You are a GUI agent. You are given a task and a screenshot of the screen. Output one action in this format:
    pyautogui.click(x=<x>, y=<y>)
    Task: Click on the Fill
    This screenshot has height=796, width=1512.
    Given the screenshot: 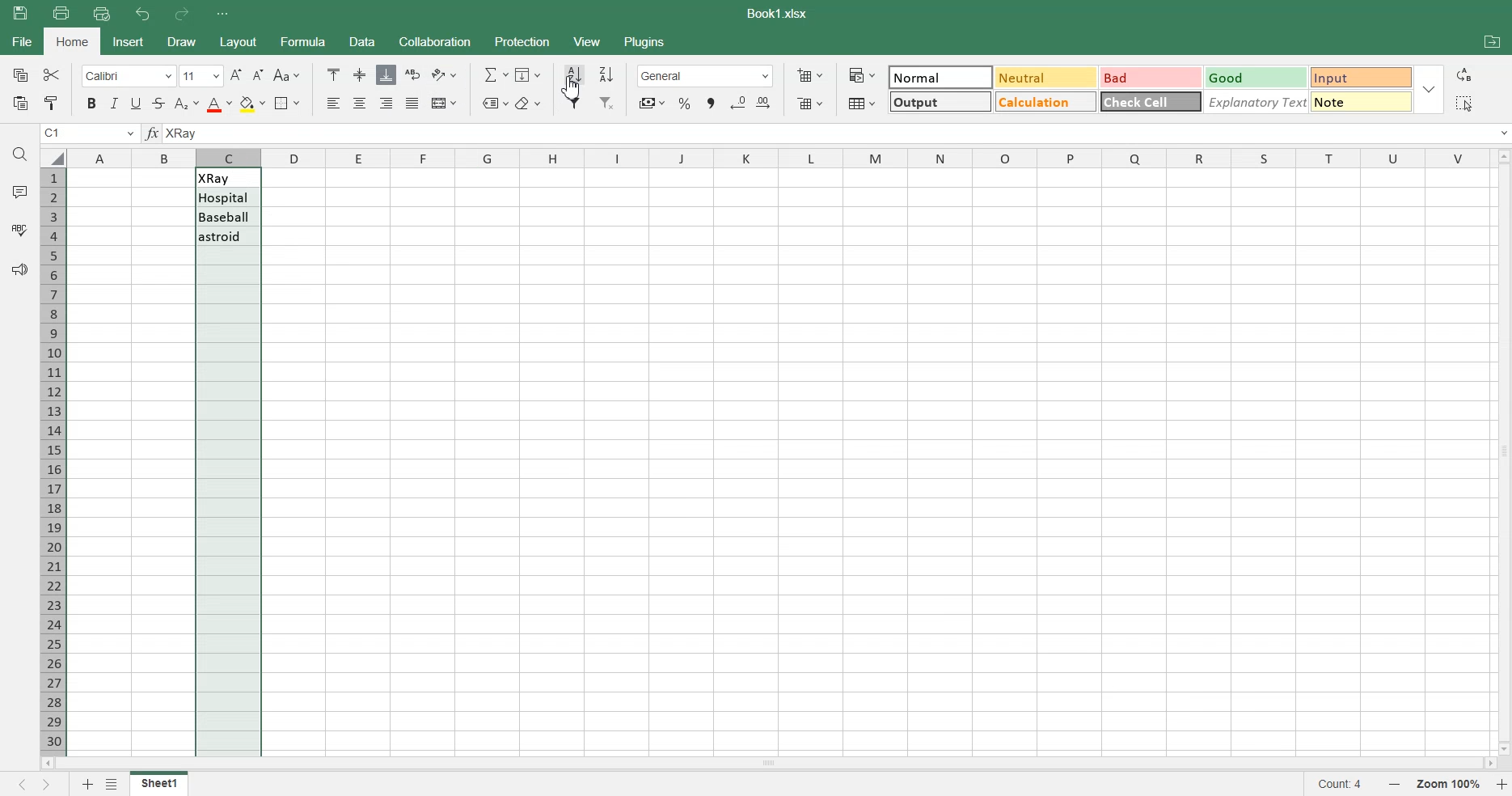 What is the action you would take?
    pyautogui.click(x=530, y=74)
    